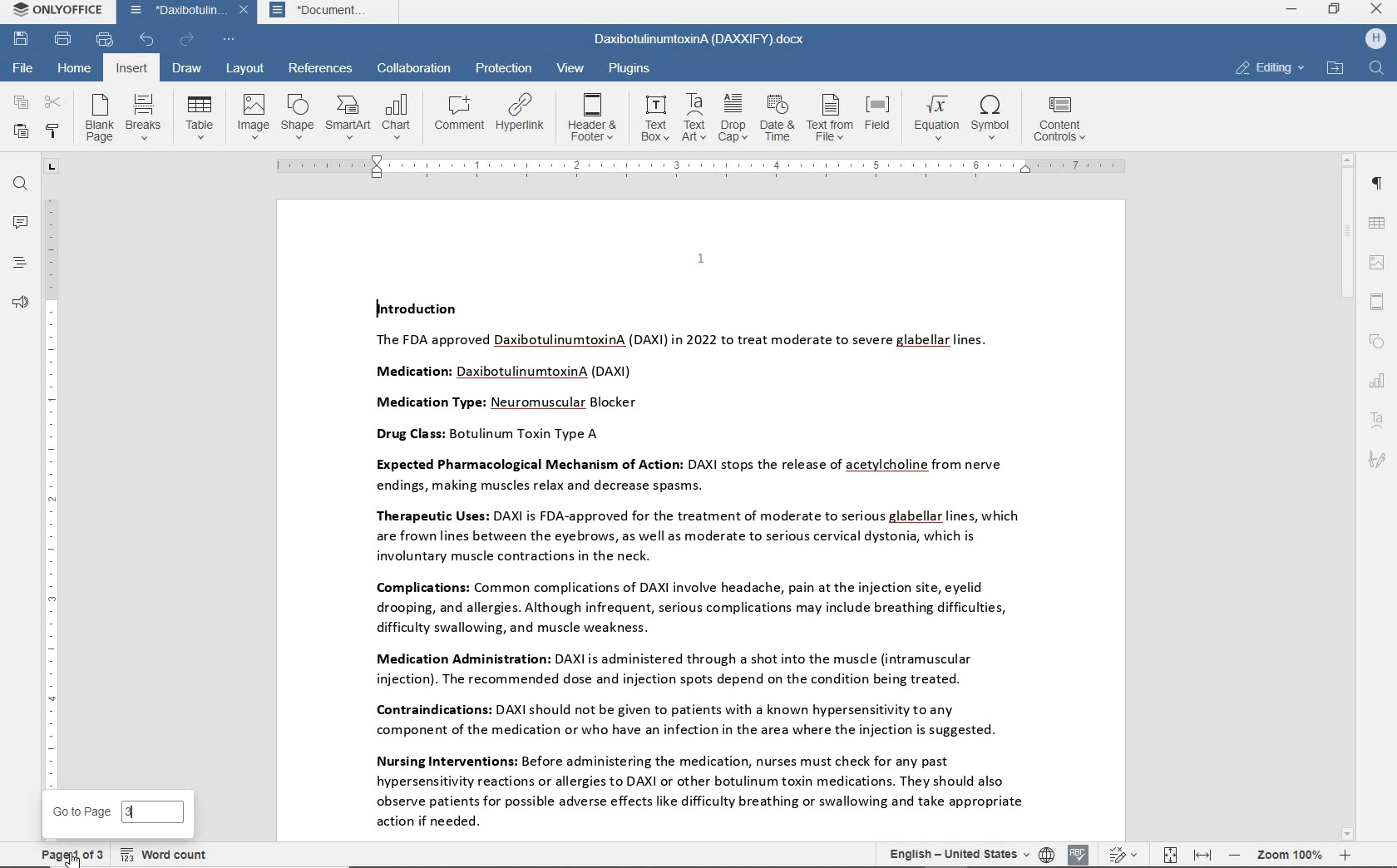 The image size is (1397, 868). Describe the element at coordinates (690, 565) in the screenshot. I see `Introduction

The FDA approved DaxibotulinumtoxinA (DAXI) in 2022 to treat moderate to severe glabellar lines.
Medication: DaxibotulinumtoxinA (DAXI)

Medication Type: Neuromuscular Blocker

Drug Class: Botulinum Toxin Type A

Expected Pharmacological Mechanism of Action: DAXI stops the release of acetylcholine from nerve
endings, making muscles relax and decrease spasms.

Therapeutic Uses: DAXI is FDA-approved for the treatment of moderate to serious glabellar lines, which
are frown lines between the eyebrows, as well as moderate to serious cervical dystonia, which is
involuntary muscle contractions in the neck.

Complications: Common complications of DAXI involve headache, pain at the injection site, eyelid
drooping, and allergies. Although infrequent, serious complications may include breathing difficulties,
difficulty swallowing, and muscle weakness.

Medication Administration: DAXI is administered through a shot into the muscle (intramuscular
injection). The recommended dose and injection spots depend on the condition being treated.
Contraindications: DAXI should not be given to patients with a known hypersensitivity to any
component of the medication or who have an infection in the area where the injection is suggested.
Nursing Interventions: Before administering the medication, nurses must check for any past
hypersensitivity reactions or allergies to DAXI or other botulinum toxin medications. They should also
observe patients for possible adverse effects like difficulty breathing or swallowing and take appropriate
action if needed.` at that location.